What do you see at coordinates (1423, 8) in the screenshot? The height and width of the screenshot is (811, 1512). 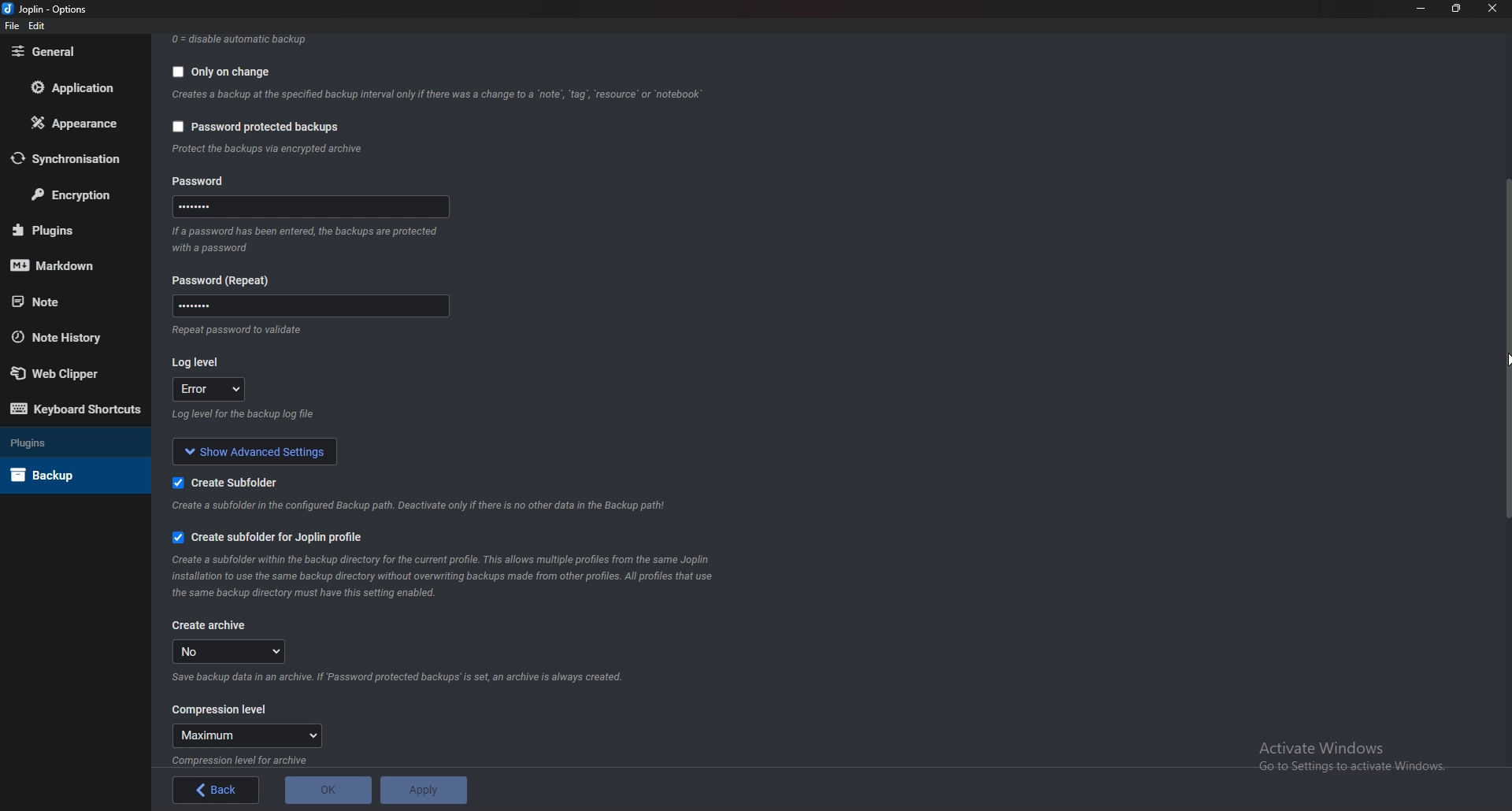 I see `Minimize` at bounding box center [1423, 8].